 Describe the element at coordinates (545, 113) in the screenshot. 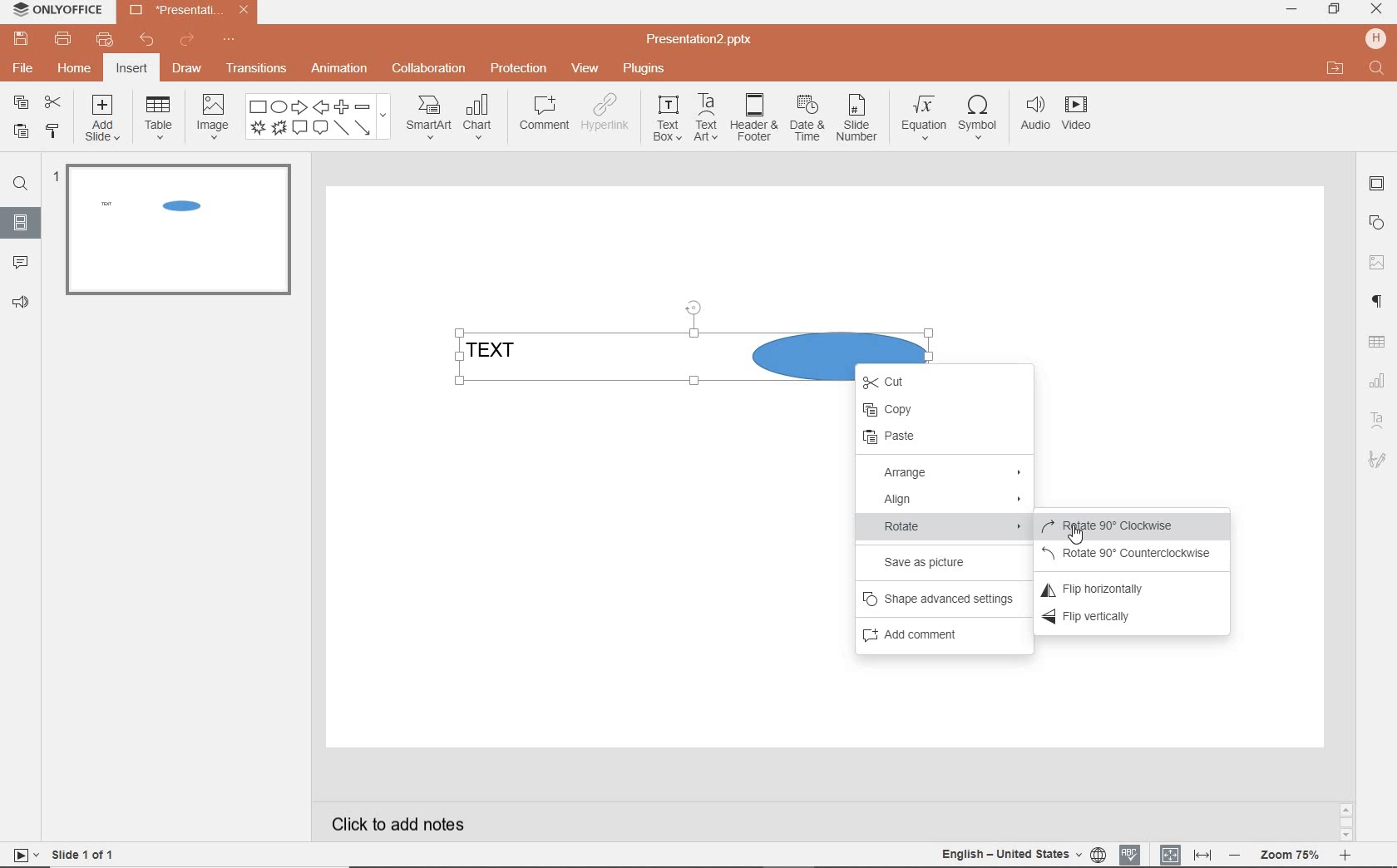

I see `comment` at that location.